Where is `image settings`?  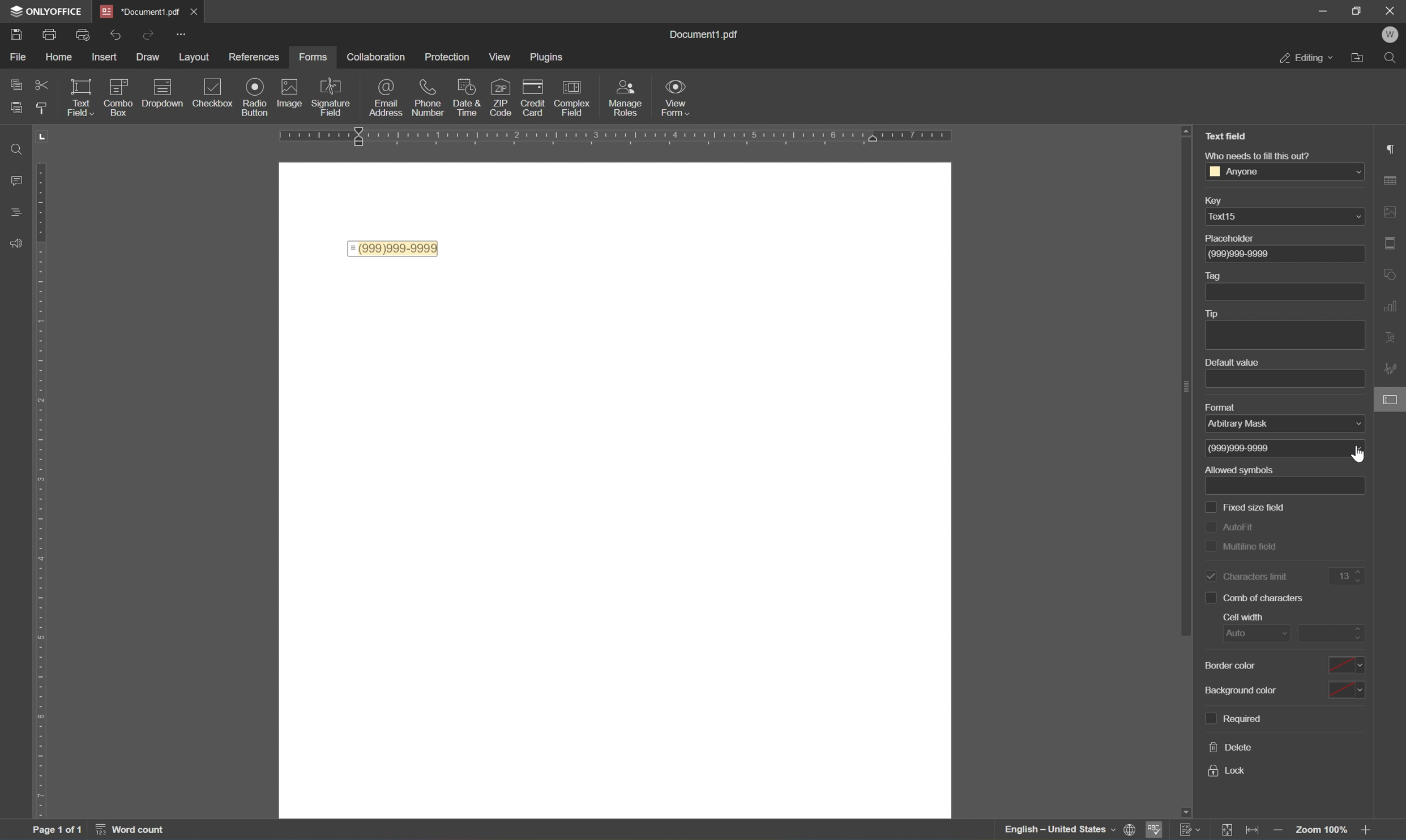 image settings is located at coordinates (1390, 209).